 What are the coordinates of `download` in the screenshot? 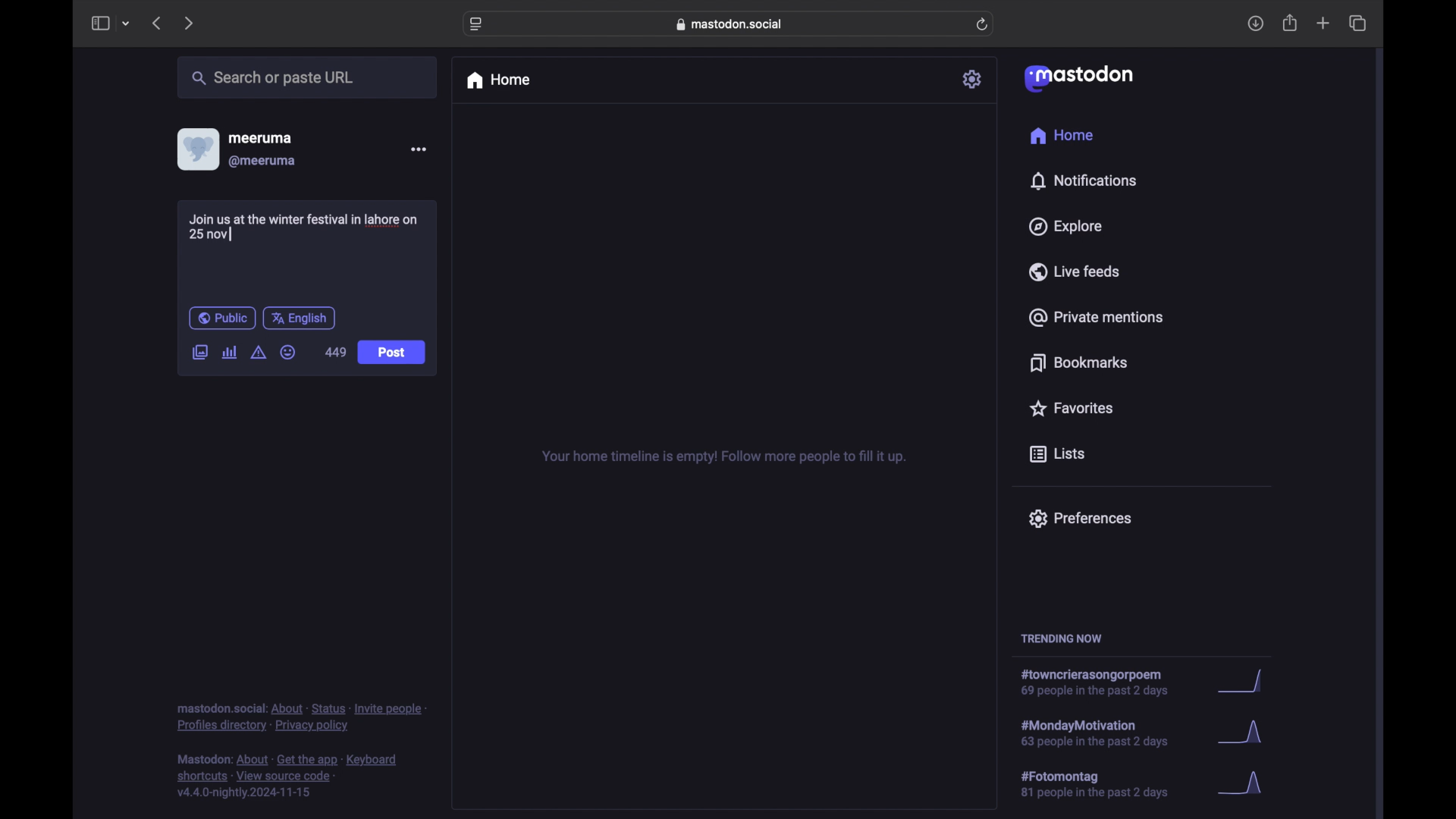 It's located at (1256, 24).